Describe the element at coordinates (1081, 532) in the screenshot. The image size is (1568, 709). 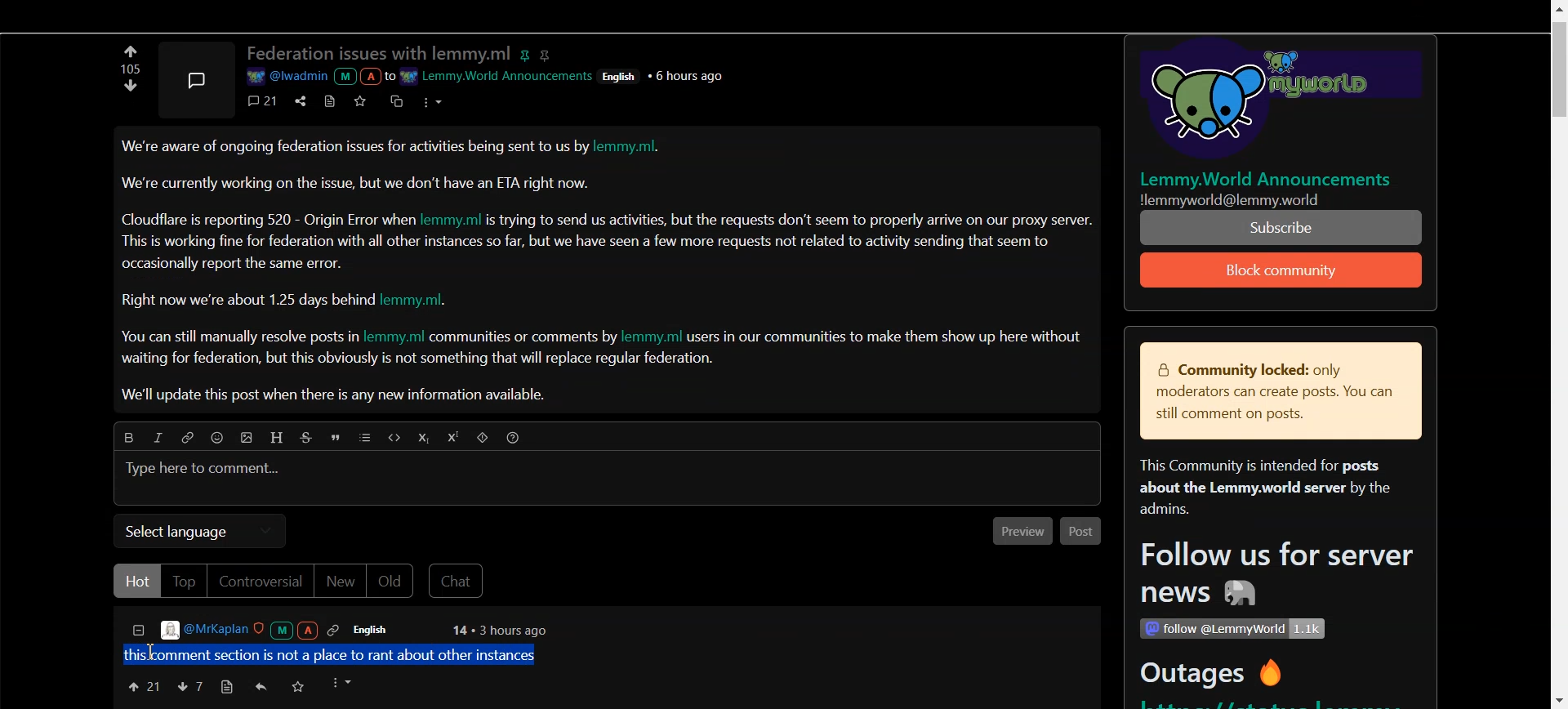
I see `Post` at that location.